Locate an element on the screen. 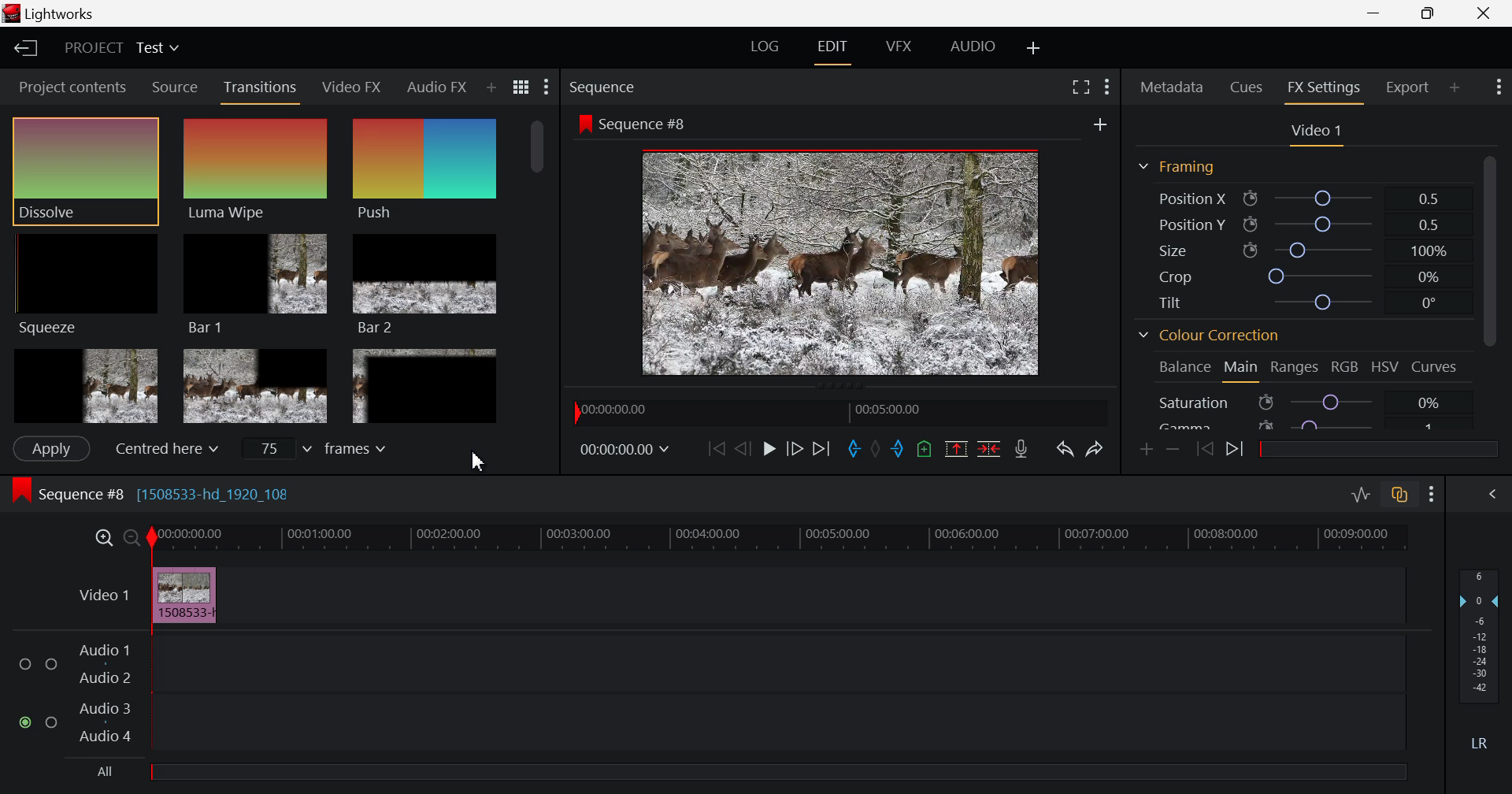 The width and height of the screenshot is (1512, 794). Luma Wipe is located at coordinates (254, 168).